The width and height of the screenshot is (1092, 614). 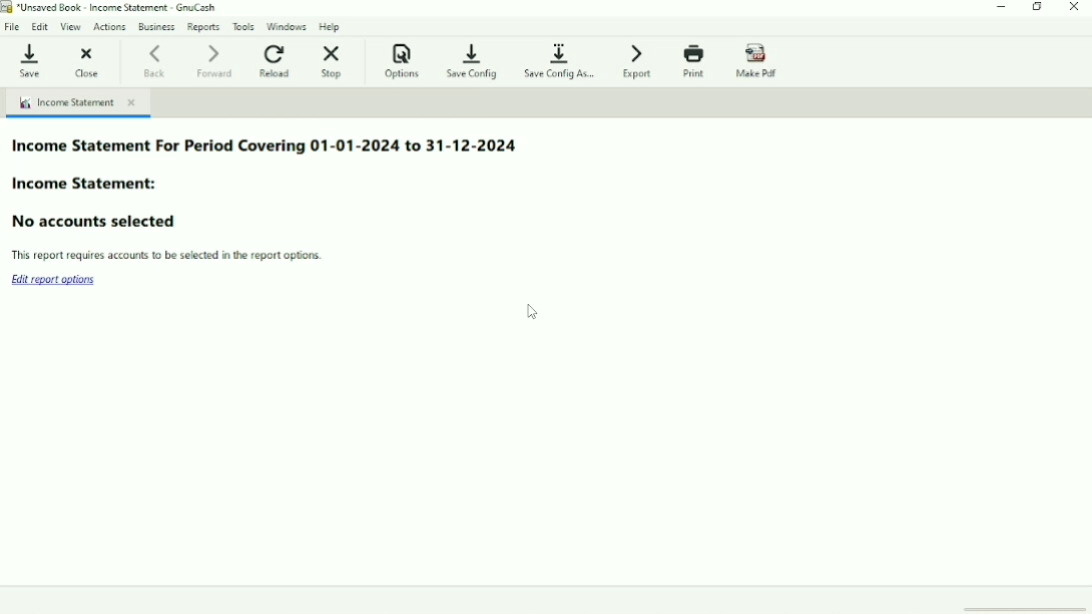 I want to click on Back, so click(x=157, y=60).